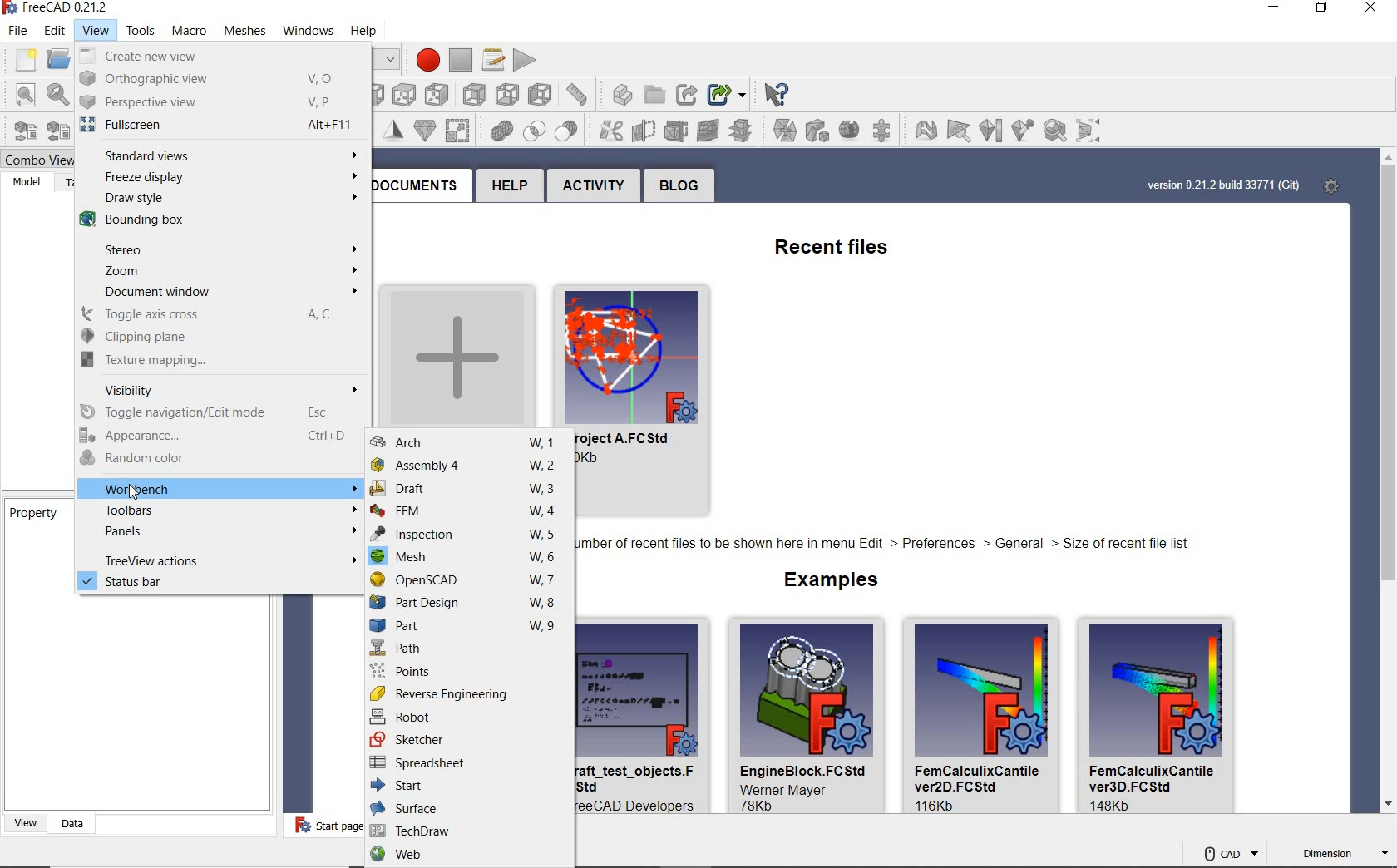  Describe the element at coordinates (1222, 185) in the screenshot. I see `version 0.21.2 build 33771 (Git)` at that location.